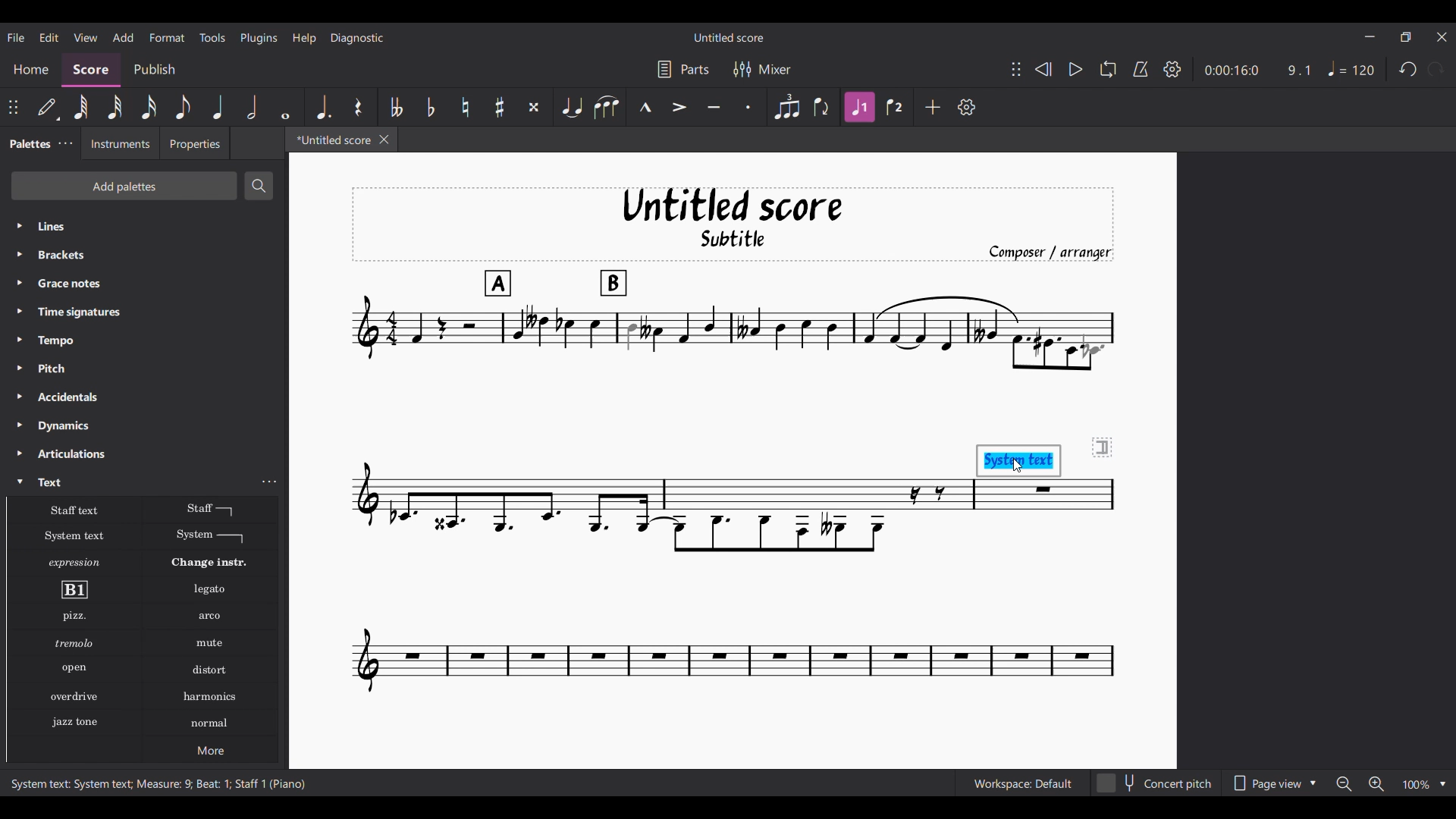 This screenshot has width=1456, height=819. What do you see at coordinates (149, 107) in the screenshot?
I see `16th note` at bounding box center [149, 107].